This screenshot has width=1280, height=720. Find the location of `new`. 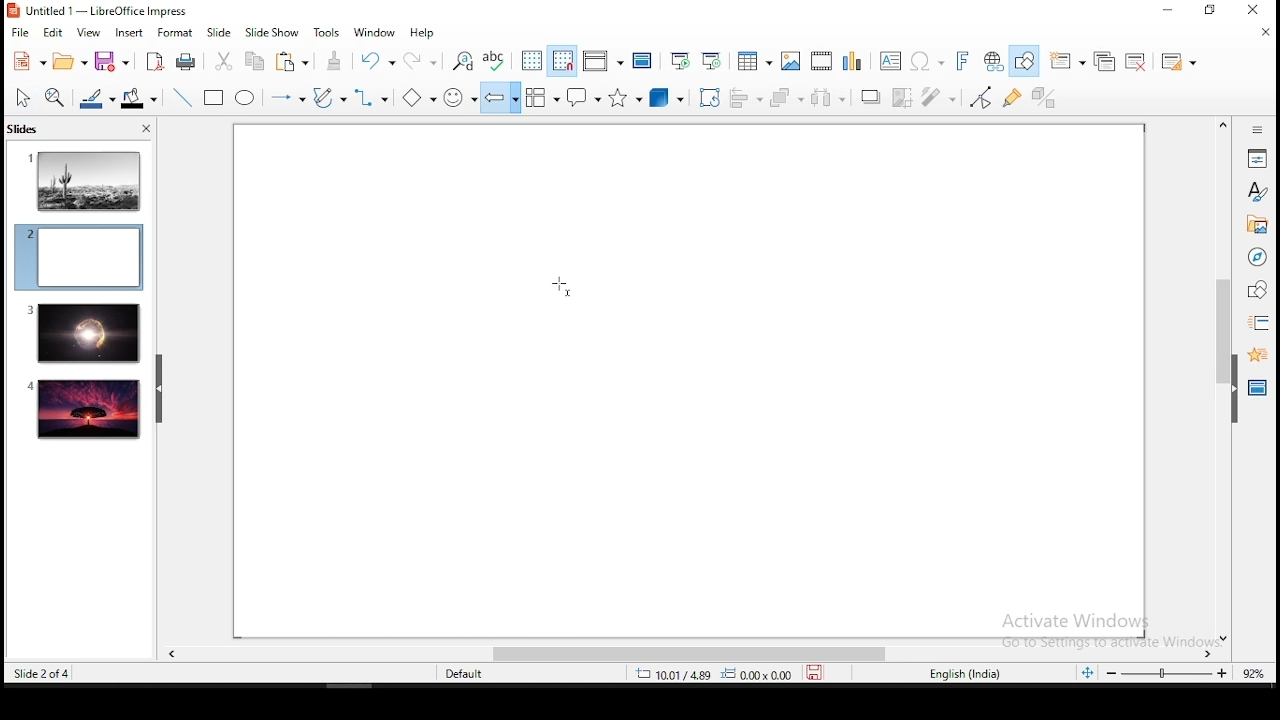

new is located at coordinates (23, 61).